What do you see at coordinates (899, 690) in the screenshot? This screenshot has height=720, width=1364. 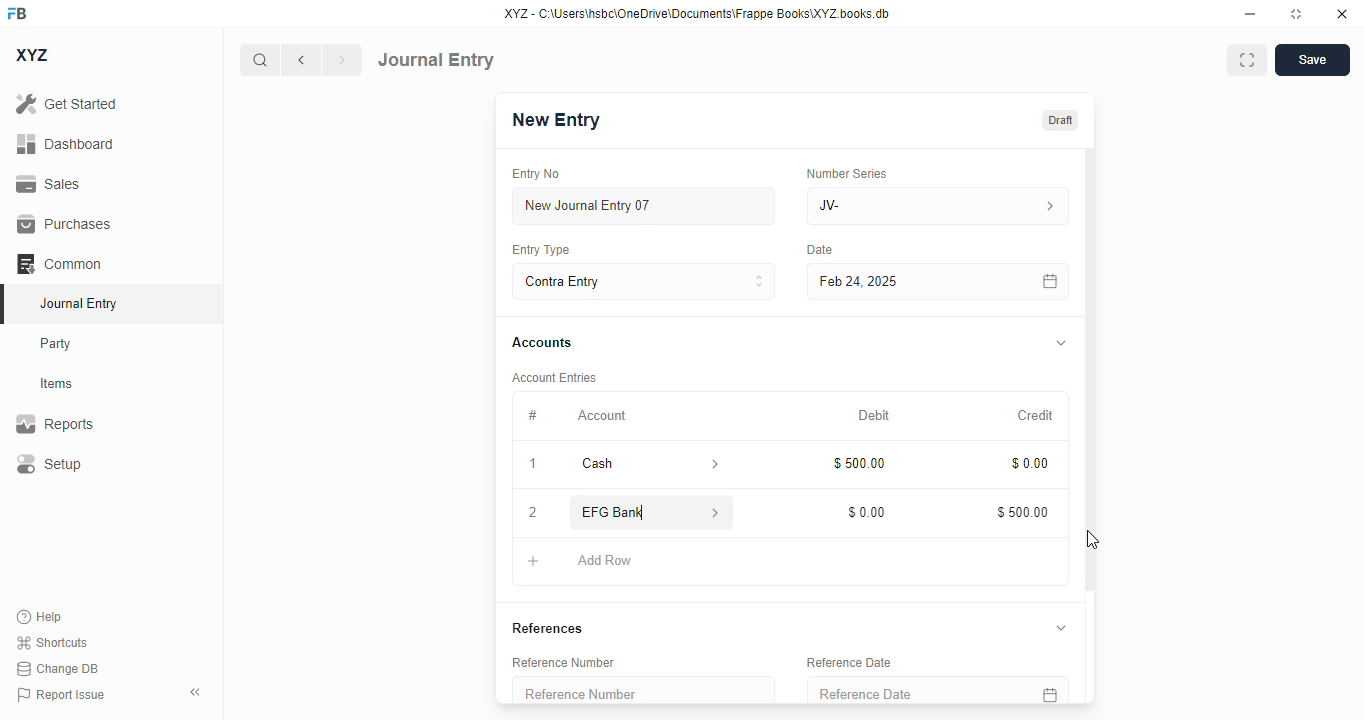 I see `reference date` at bounding box center [899, 690].